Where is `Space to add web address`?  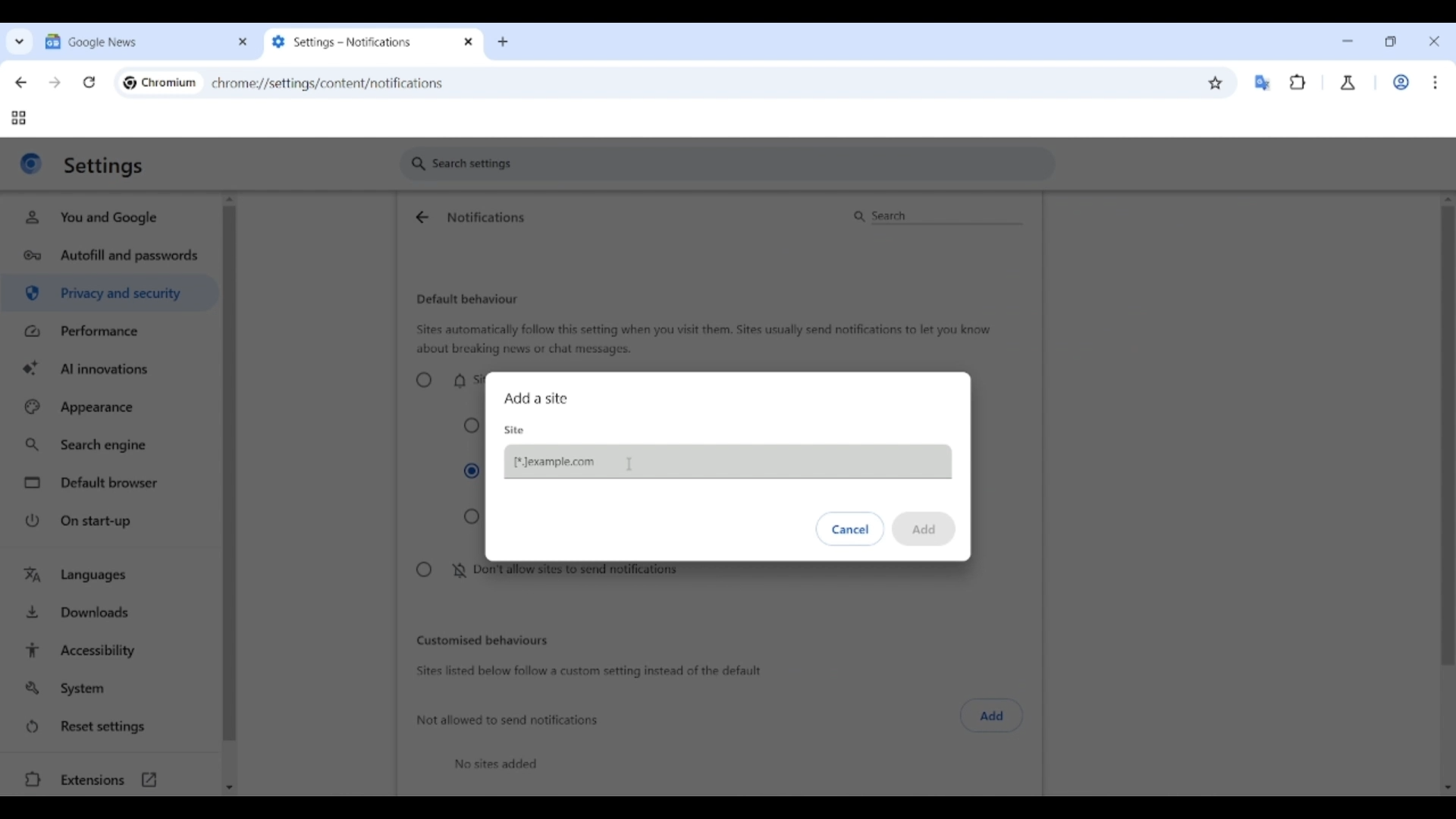 Space to add web address is located at coordinates (727, 463).